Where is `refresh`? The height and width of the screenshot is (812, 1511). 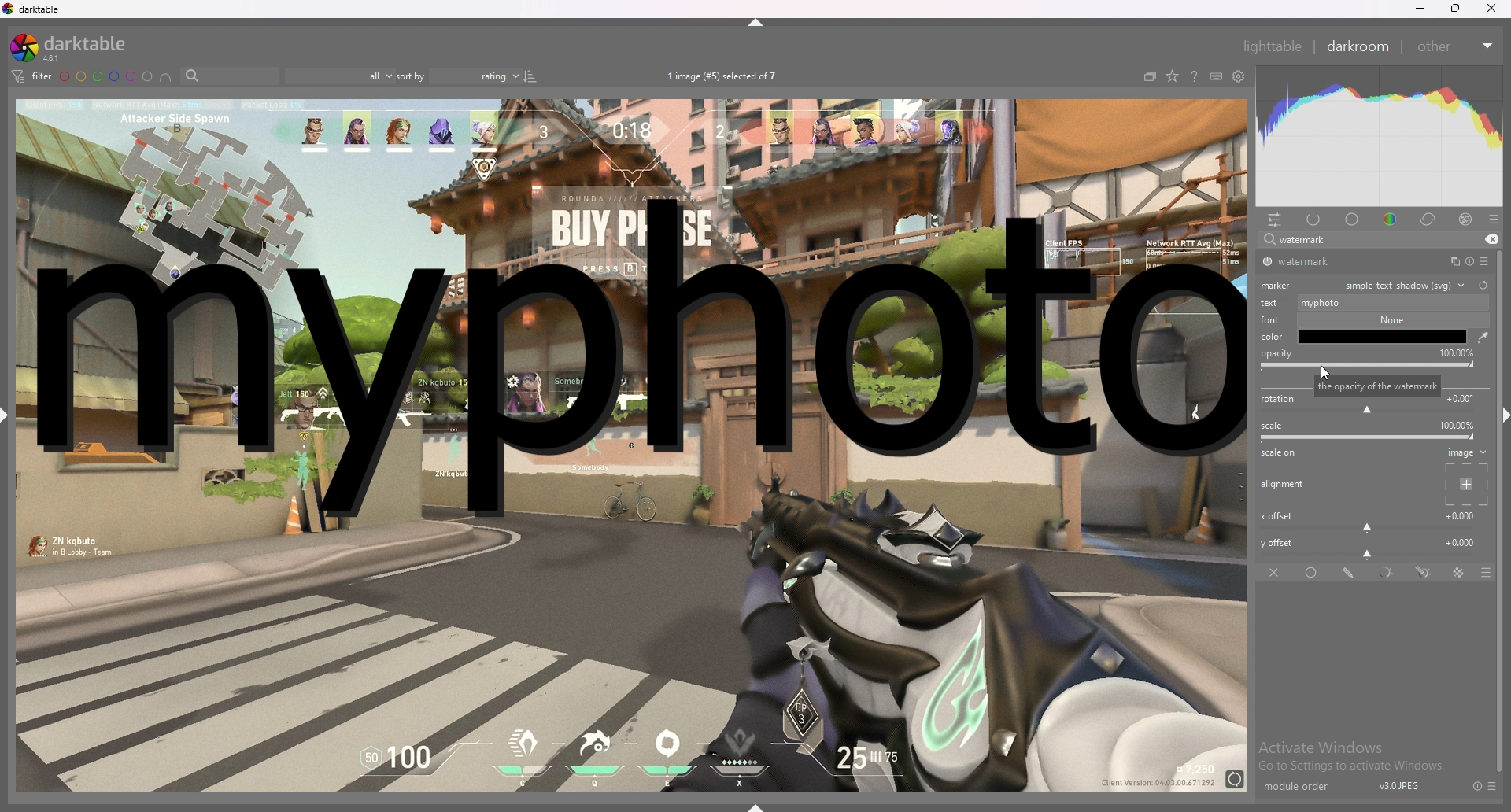
refresh is located at coordinates (1483, 285).